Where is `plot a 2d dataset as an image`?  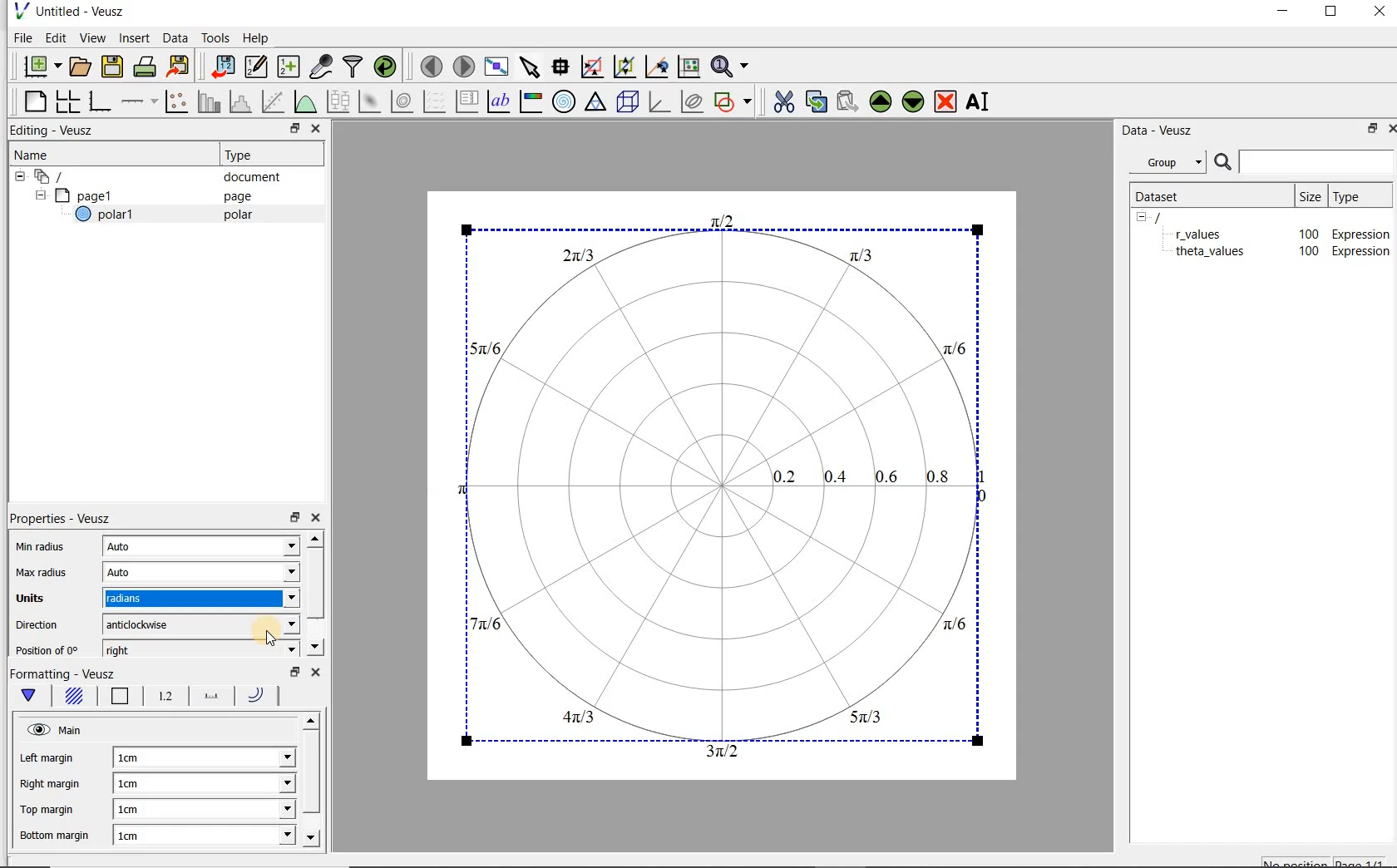 plot a 2d dataset as an image is located at coordinates (372, 102).